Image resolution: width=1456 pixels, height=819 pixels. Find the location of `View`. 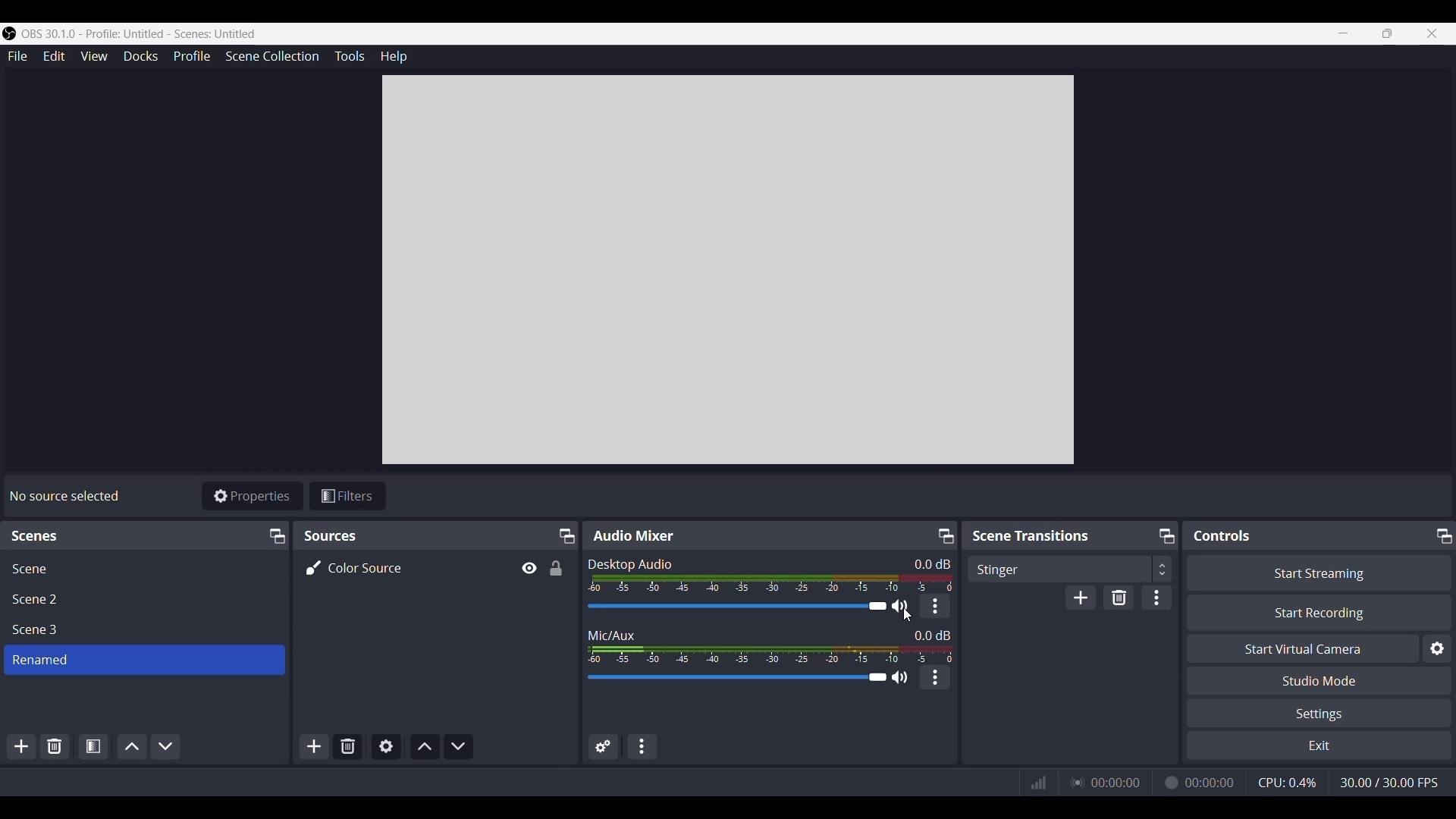

View is located at coordinates (93, 56).